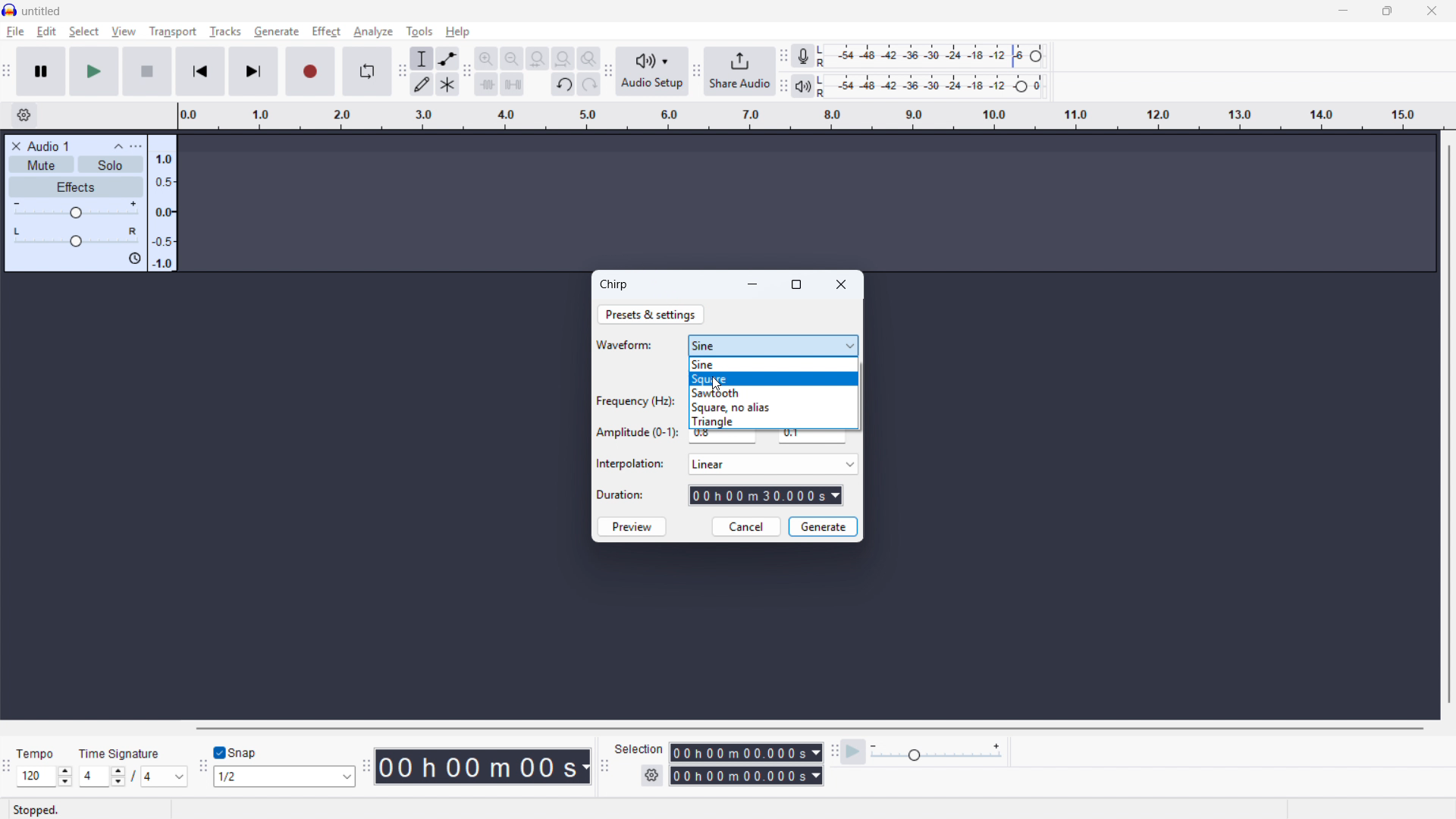 The height and width of the screenshot is (819, 1456). Describe the element at coordinates (24, 115) in the screenshot. I see `Timeline settings ` at that location.